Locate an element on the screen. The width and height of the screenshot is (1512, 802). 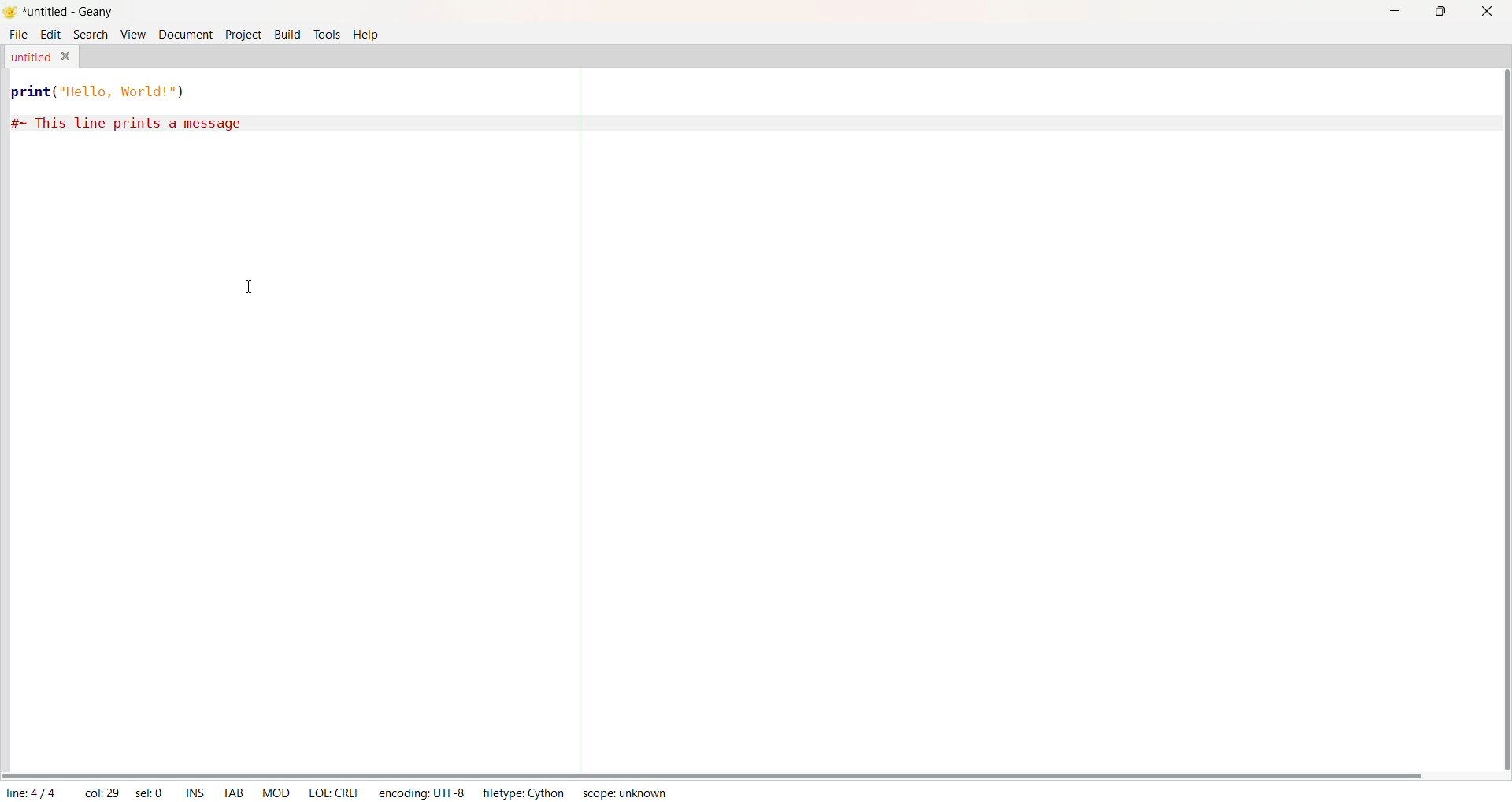
View is located at coordinates (131, 34).